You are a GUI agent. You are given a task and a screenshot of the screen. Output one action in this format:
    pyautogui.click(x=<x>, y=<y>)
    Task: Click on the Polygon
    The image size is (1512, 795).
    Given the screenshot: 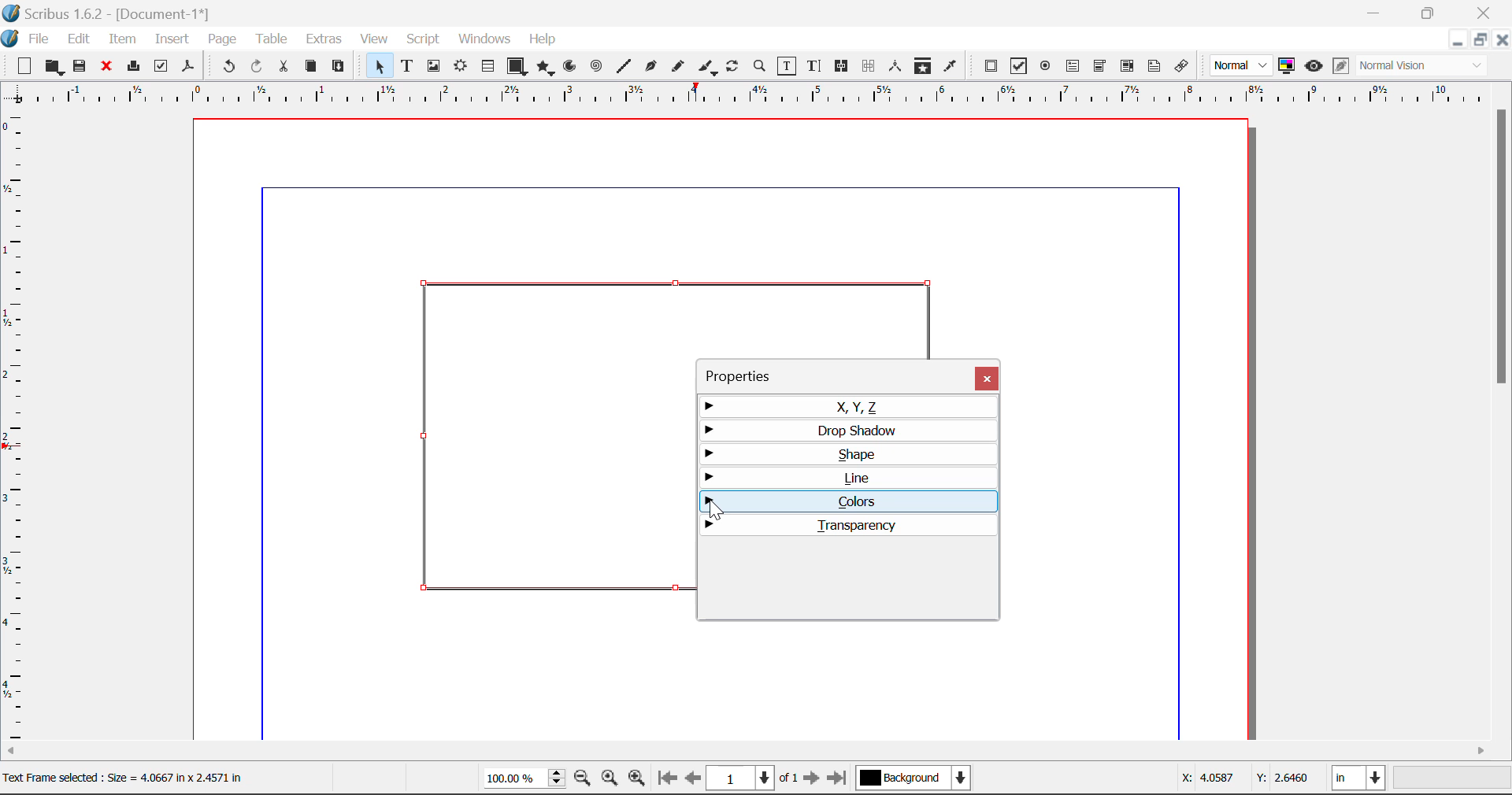 What is the action you would take?
    pyautogui.click(x=547, y=68)
    